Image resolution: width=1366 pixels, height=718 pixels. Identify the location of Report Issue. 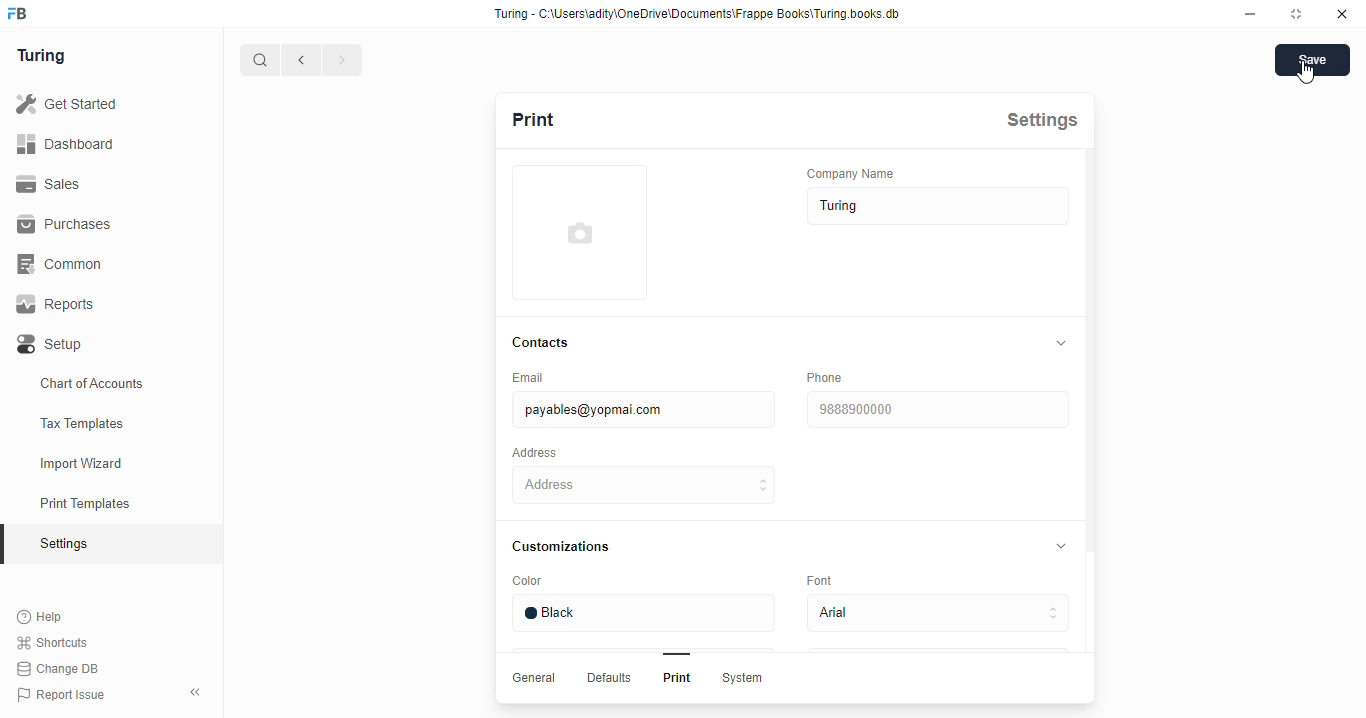
(70, 692).